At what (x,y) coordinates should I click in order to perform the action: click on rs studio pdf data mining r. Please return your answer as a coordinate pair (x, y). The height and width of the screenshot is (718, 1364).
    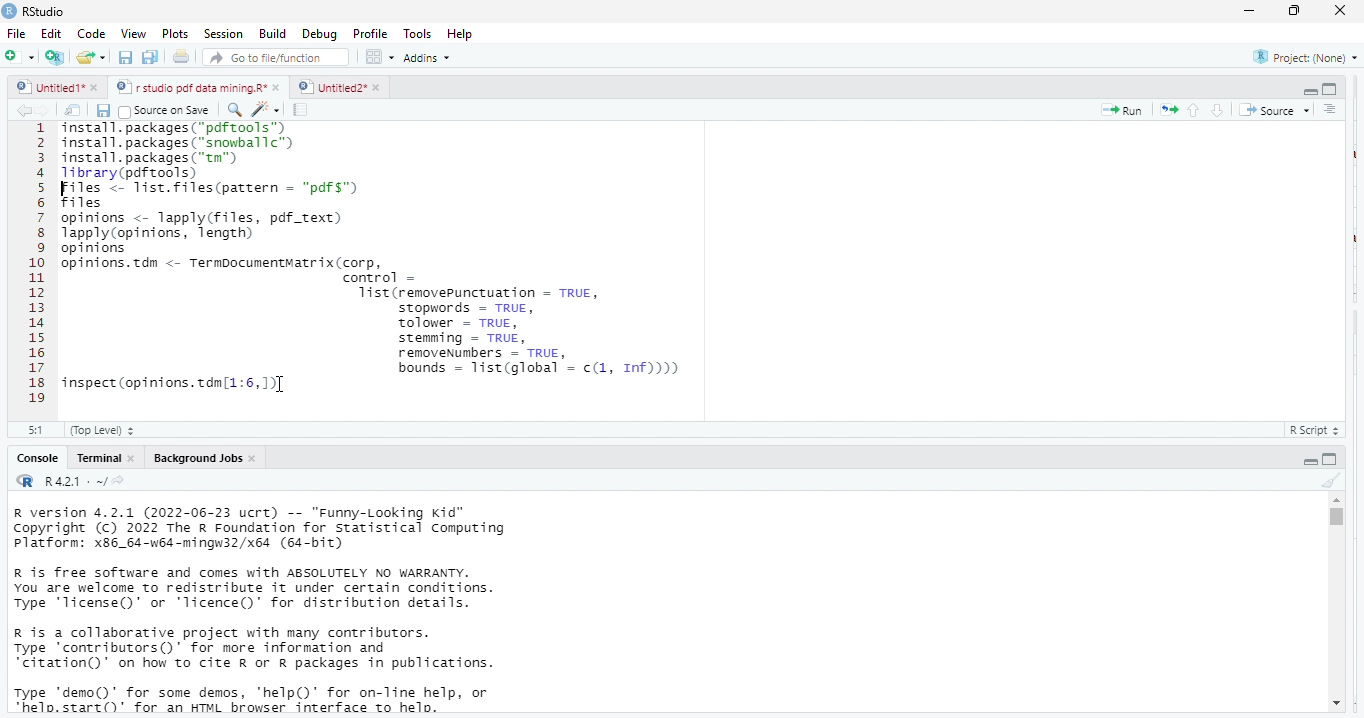
    Looking at the image, I should click on (190, 88).